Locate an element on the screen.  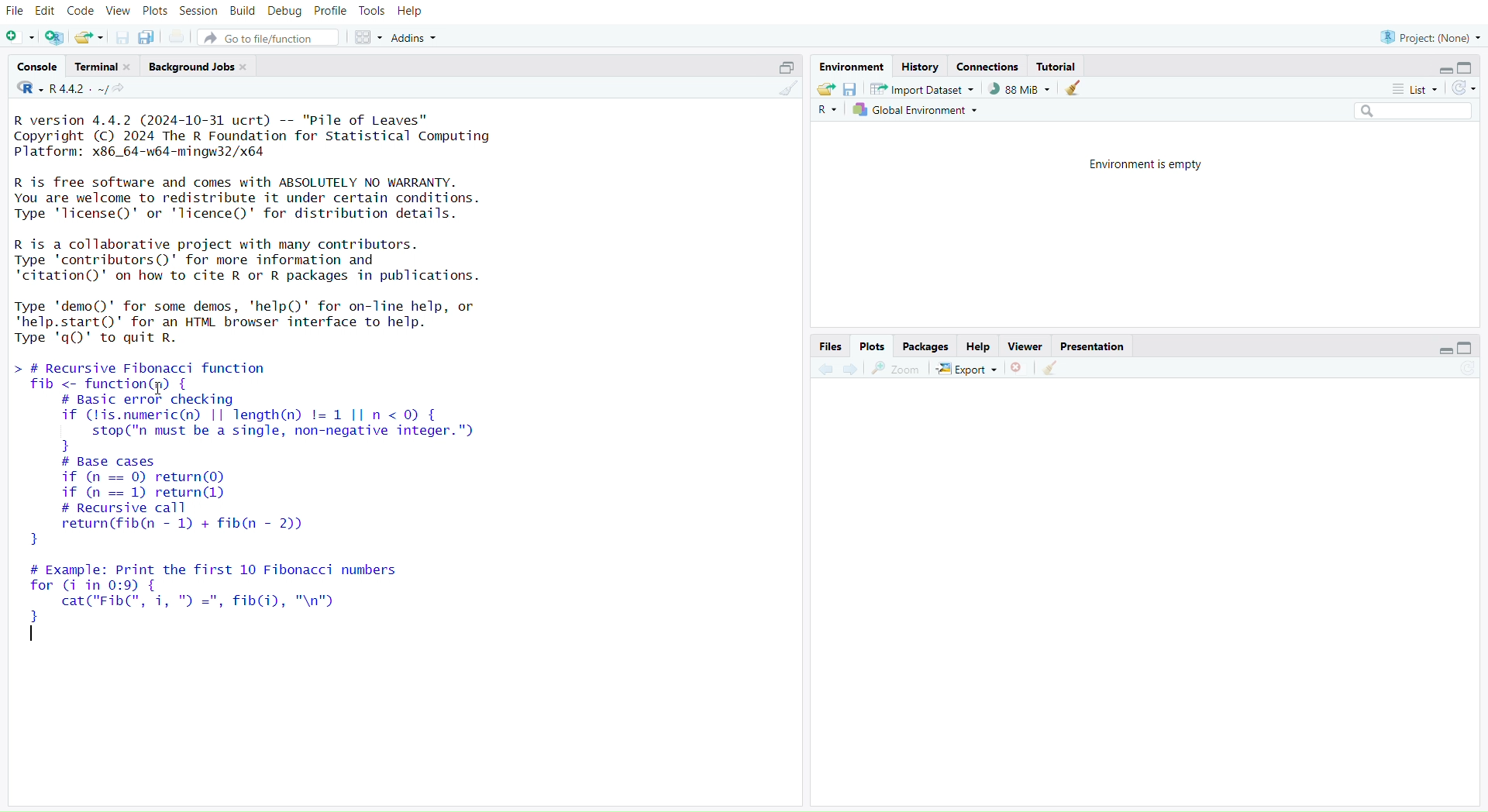
forward is located at coordinates (856, 370).